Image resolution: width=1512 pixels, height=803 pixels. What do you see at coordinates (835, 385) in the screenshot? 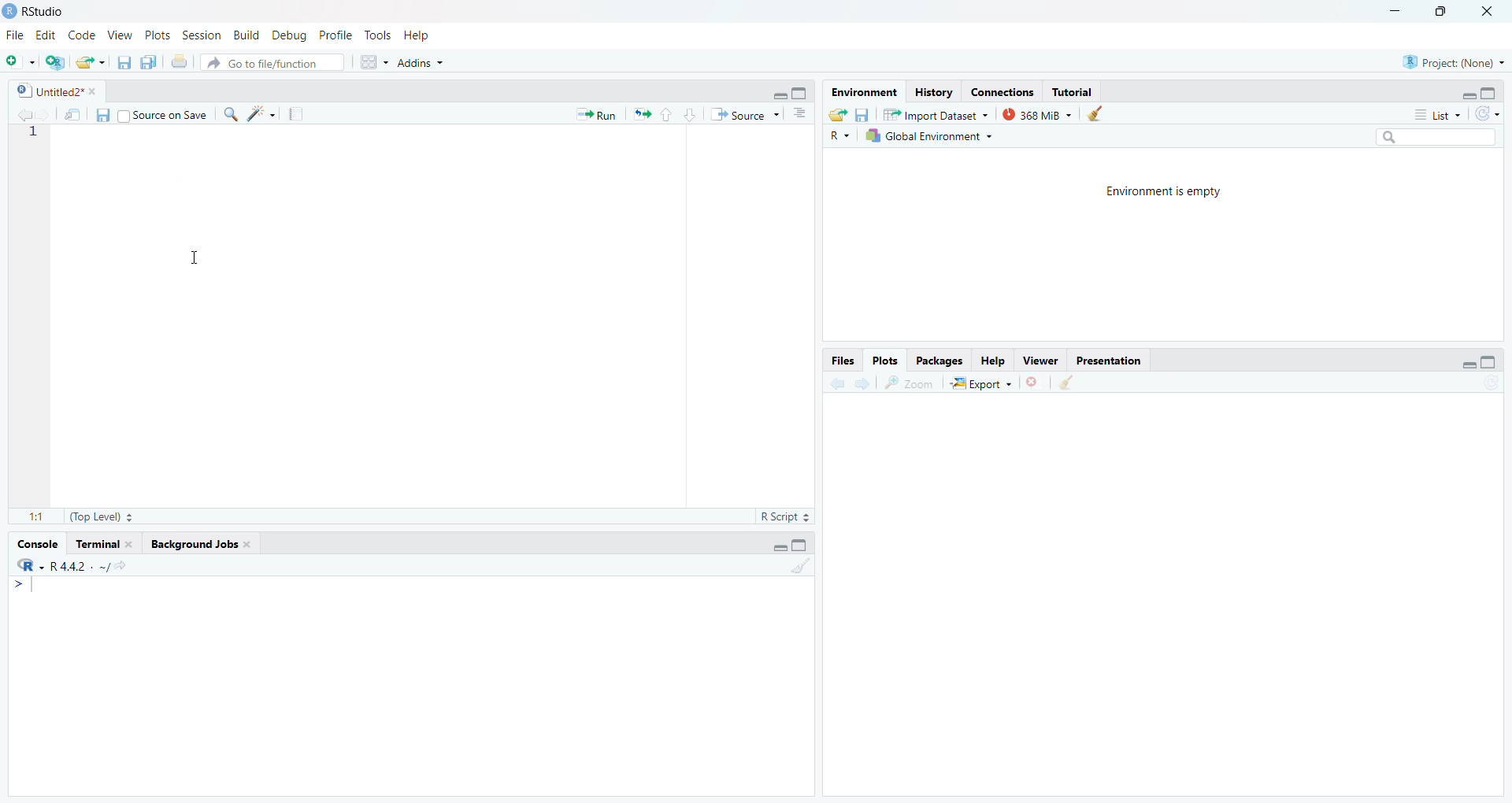
I see `back` at bounding box center [835, 385].